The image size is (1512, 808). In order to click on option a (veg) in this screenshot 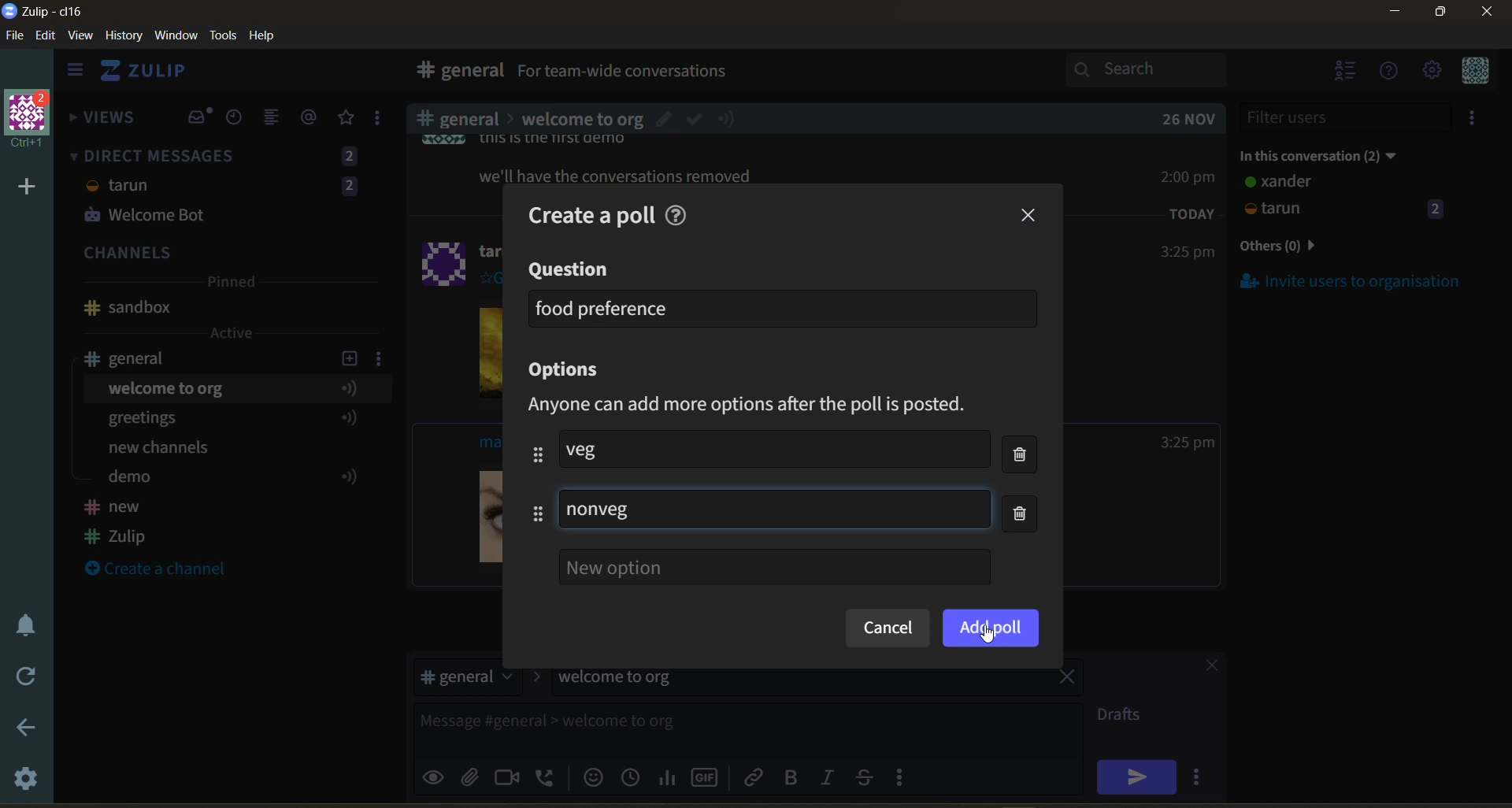, I will do `click(594, 449)`.